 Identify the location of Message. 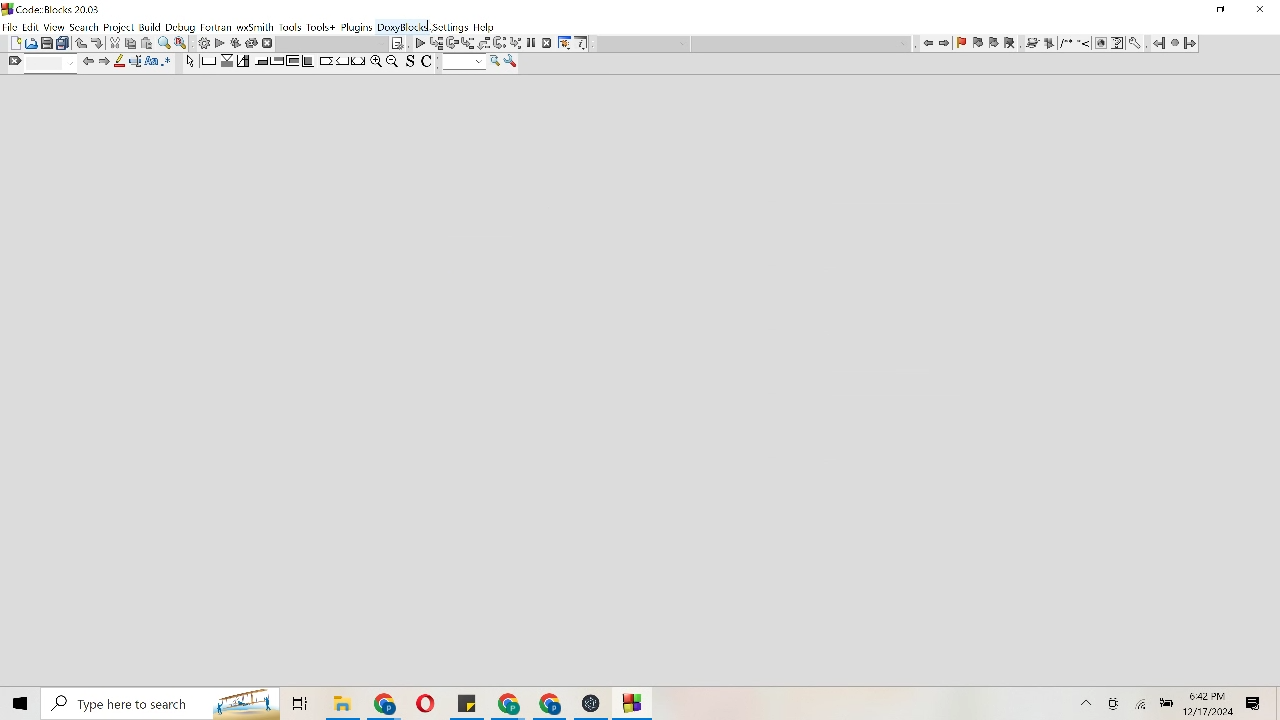
(1254, 703).